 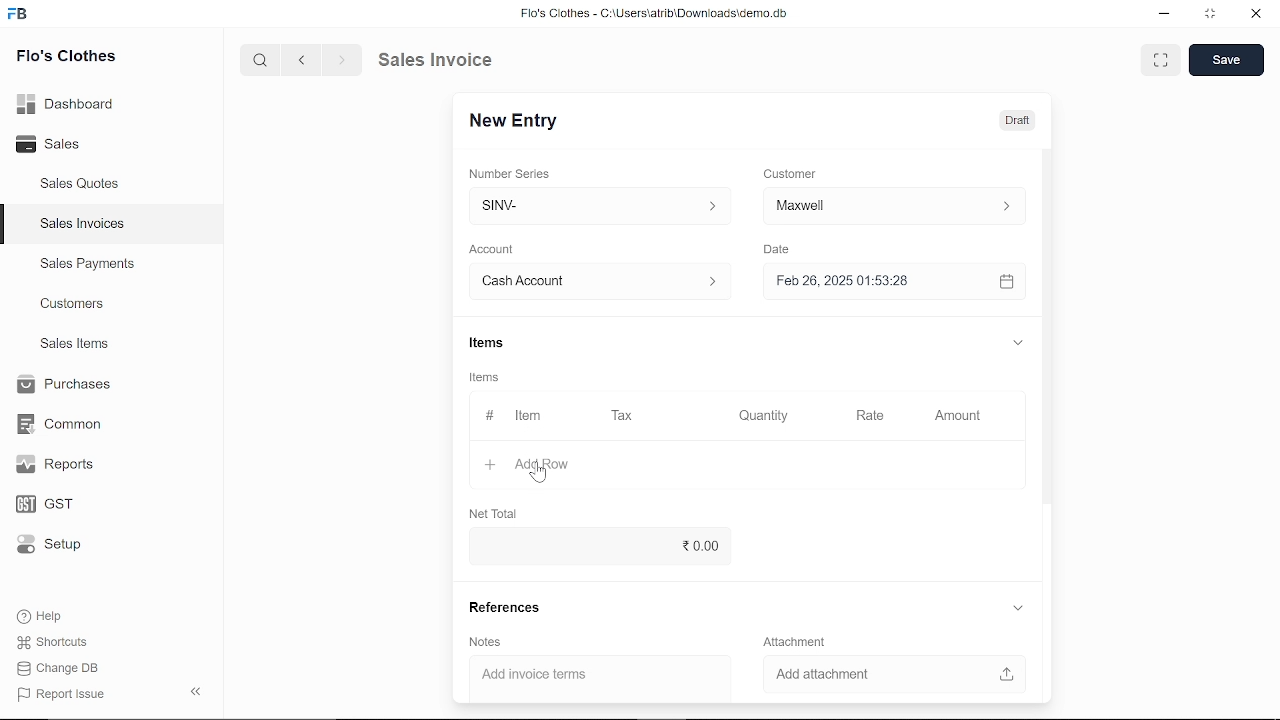 I want to click on Net Total, so click(x=496, y=511).